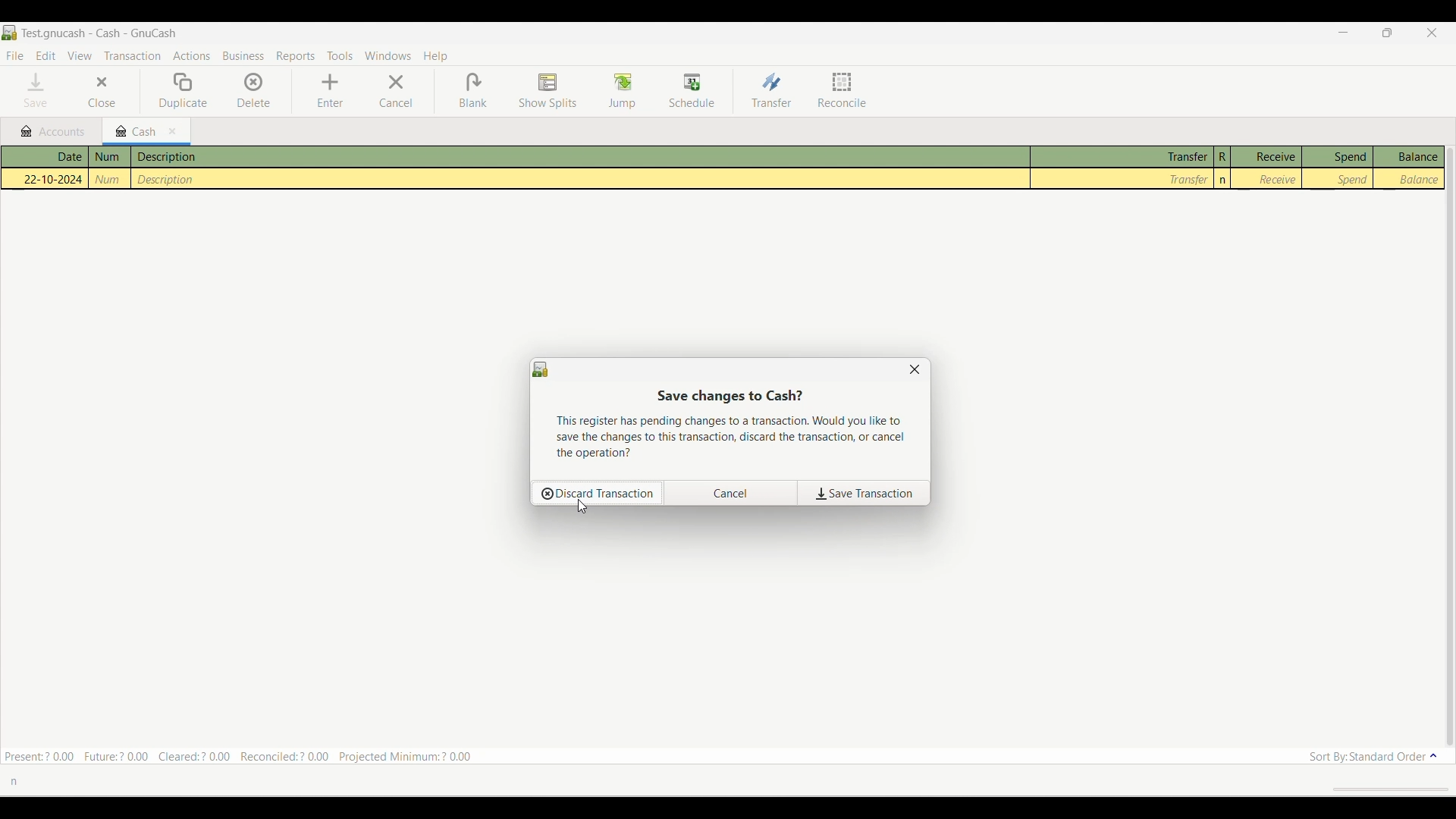  I want to click on Vertical slide bar, so click(1454, 447).